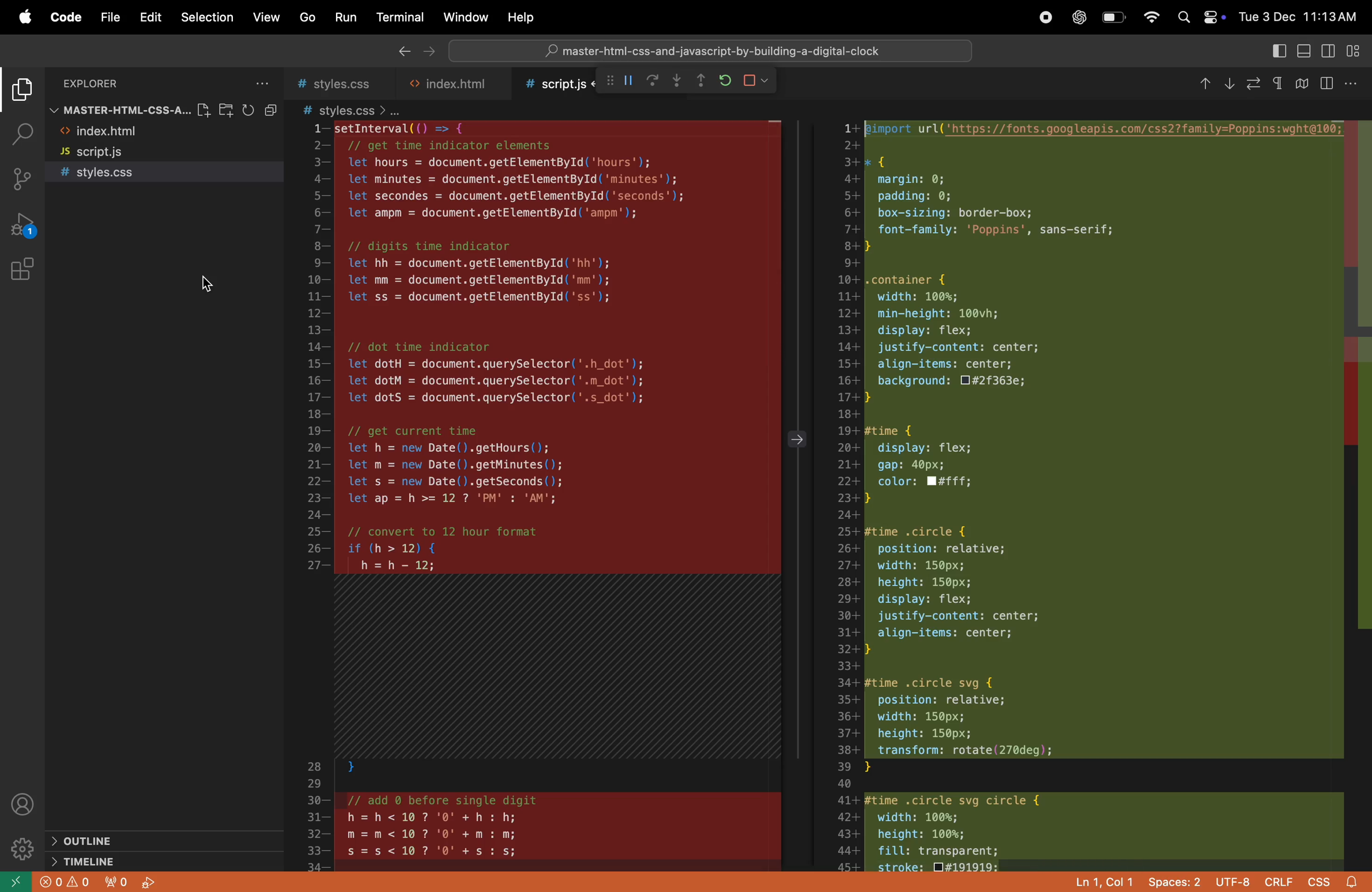 Image resolution: width=1372 pixels, height=892 pixels. What do you see at coordinates (625, 80) in the screenshot?
I see `pause` at bounding box center [625, 80].